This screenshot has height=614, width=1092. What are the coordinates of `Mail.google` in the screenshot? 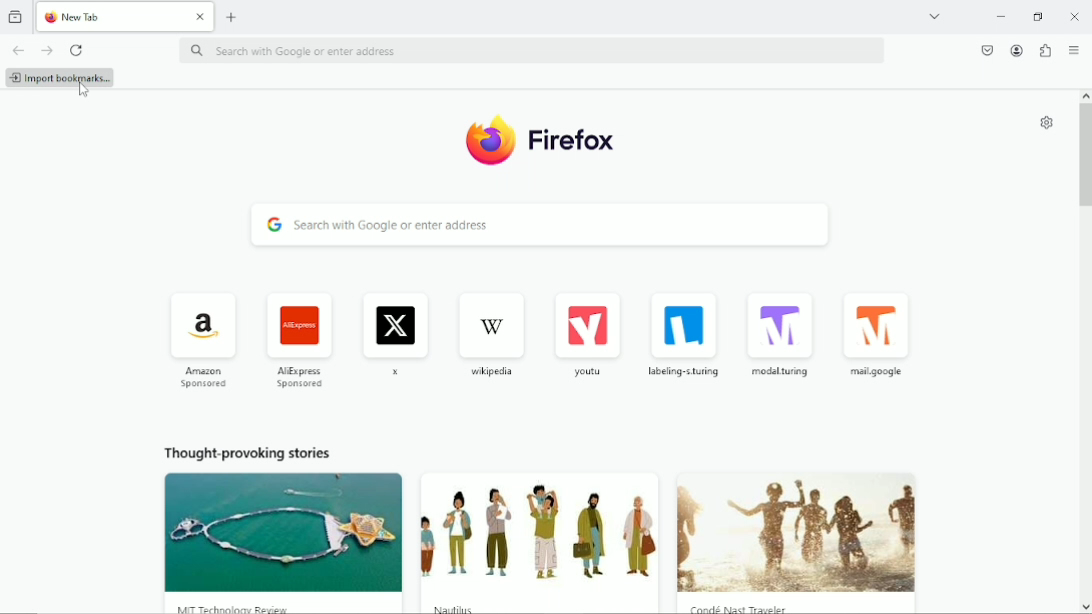 It's located at (876, 335).